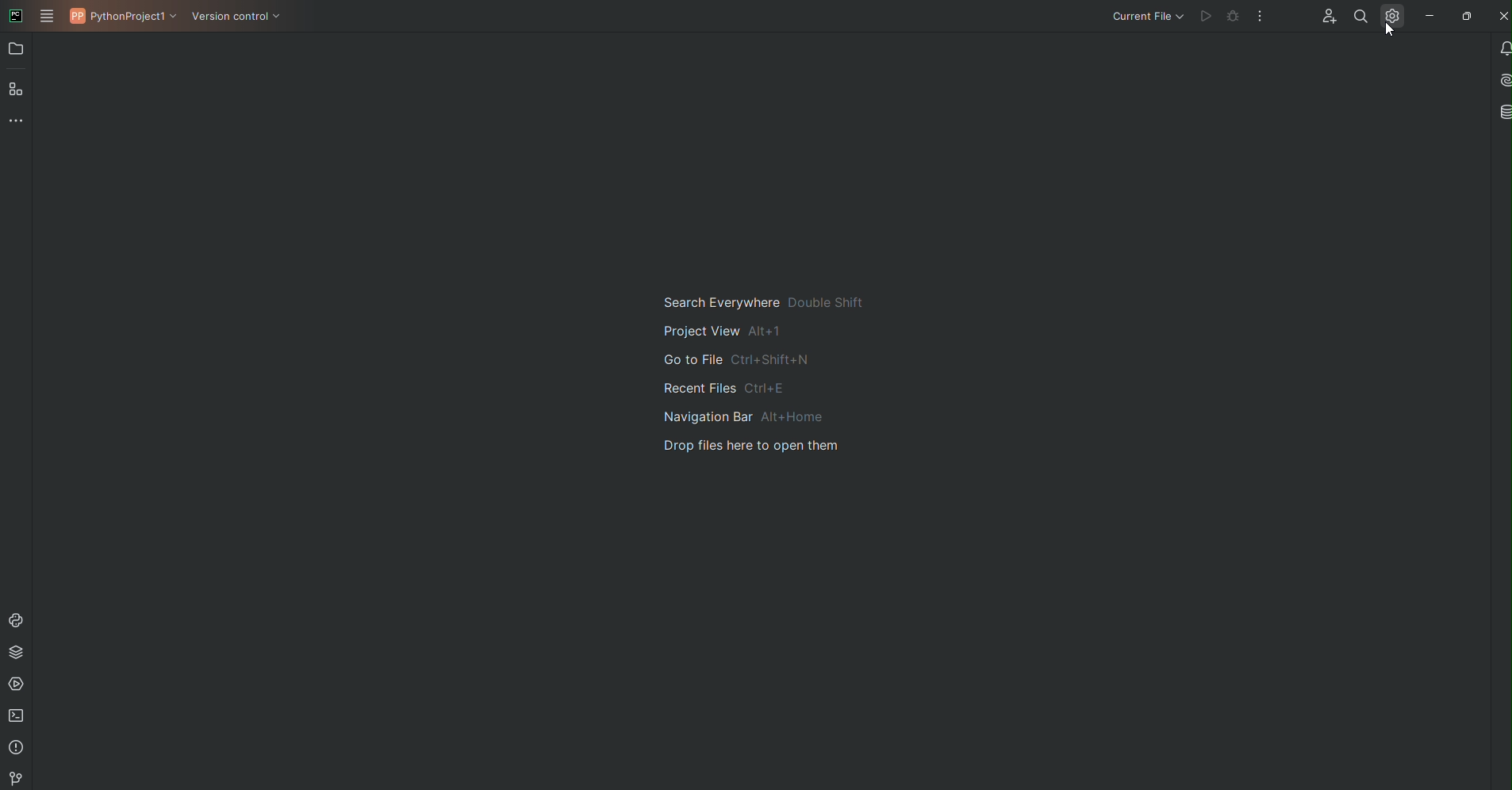  I want to click on Minimize, so click(1426, 17).